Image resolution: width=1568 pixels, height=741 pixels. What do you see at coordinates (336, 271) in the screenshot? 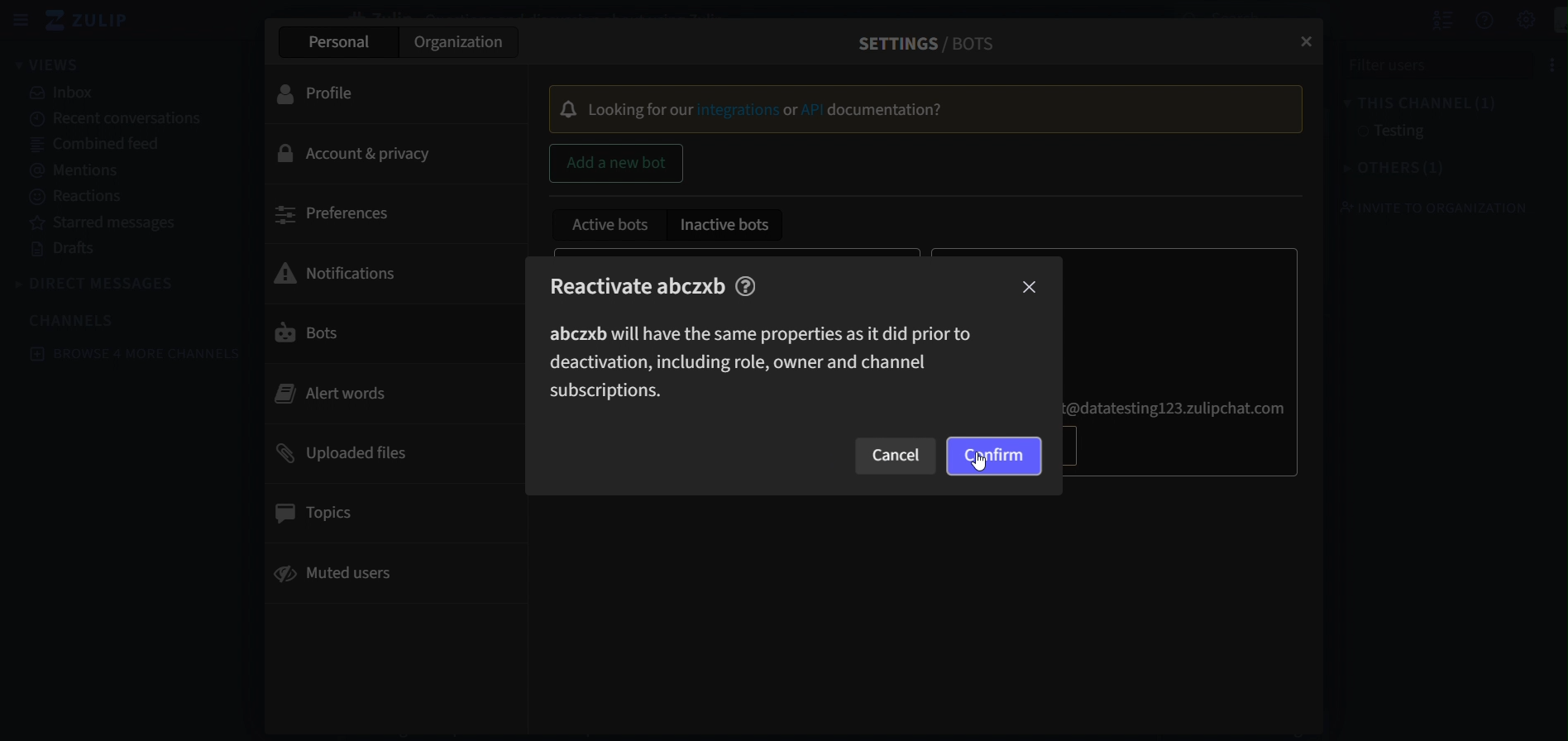
I see `notifications` at bounding box center [336, 271].